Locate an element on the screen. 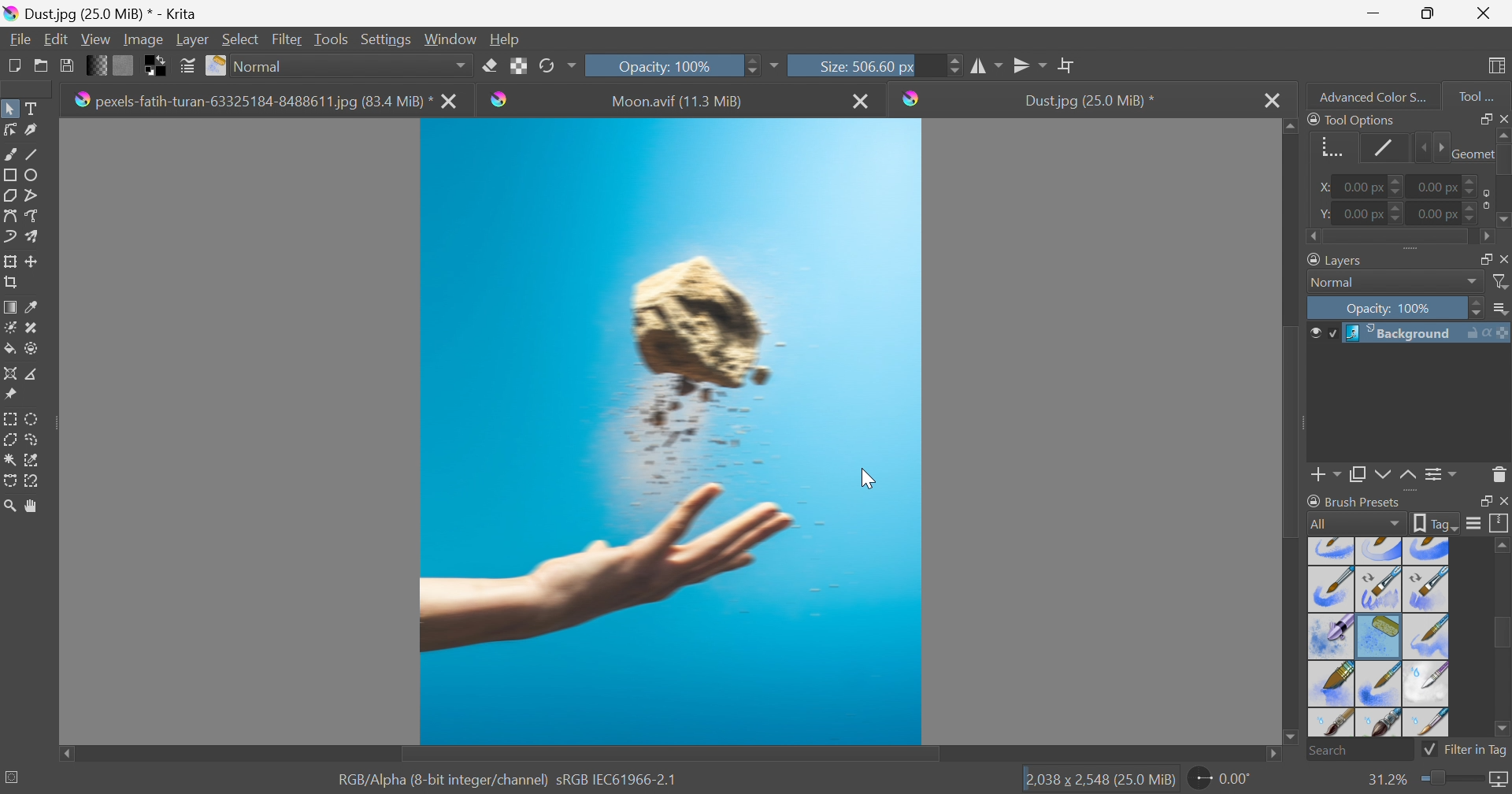  Slider is located at coordinates (1477, 309).